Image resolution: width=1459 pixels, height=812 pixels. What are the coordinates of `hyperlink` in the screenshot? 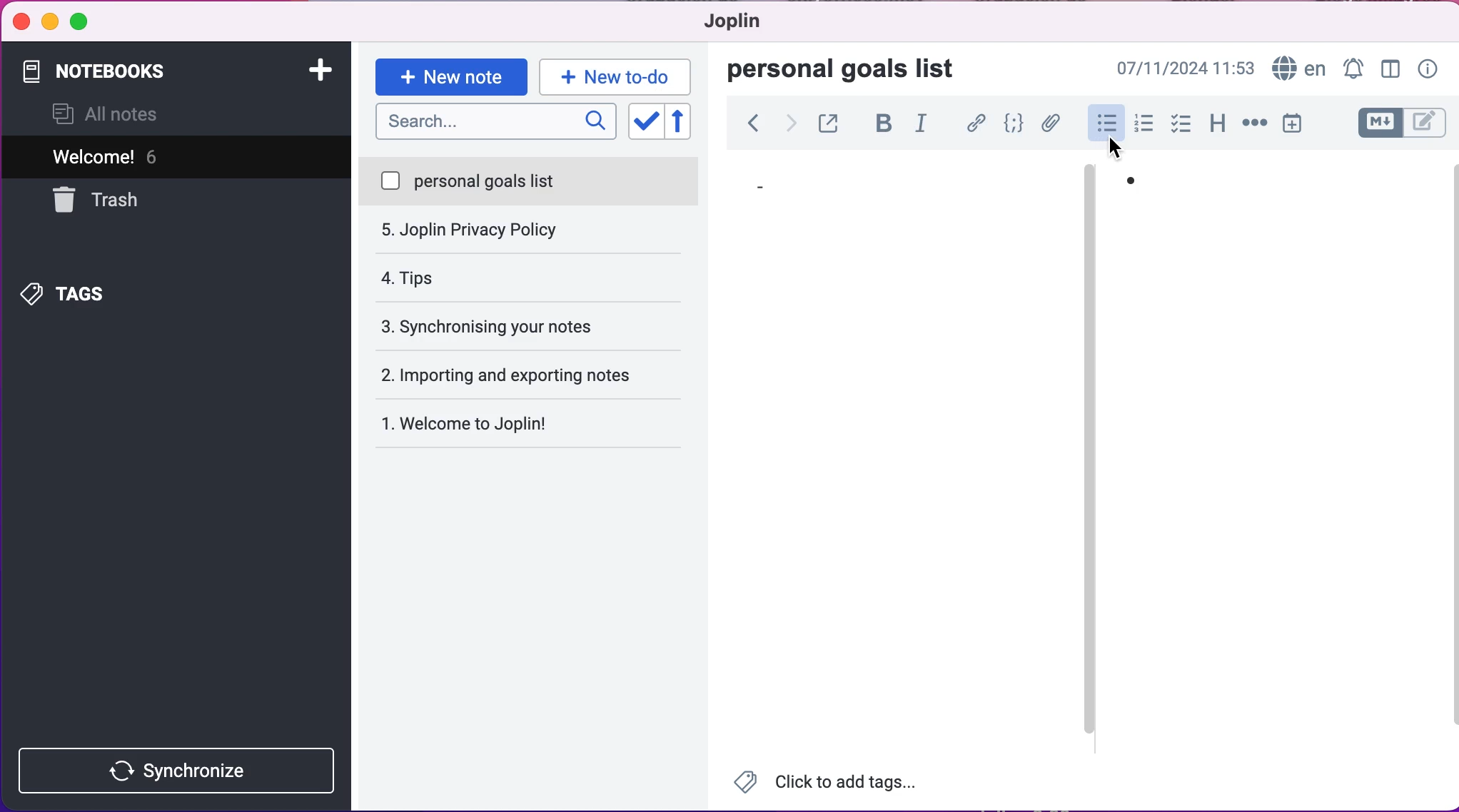 It's located at (976, 123).